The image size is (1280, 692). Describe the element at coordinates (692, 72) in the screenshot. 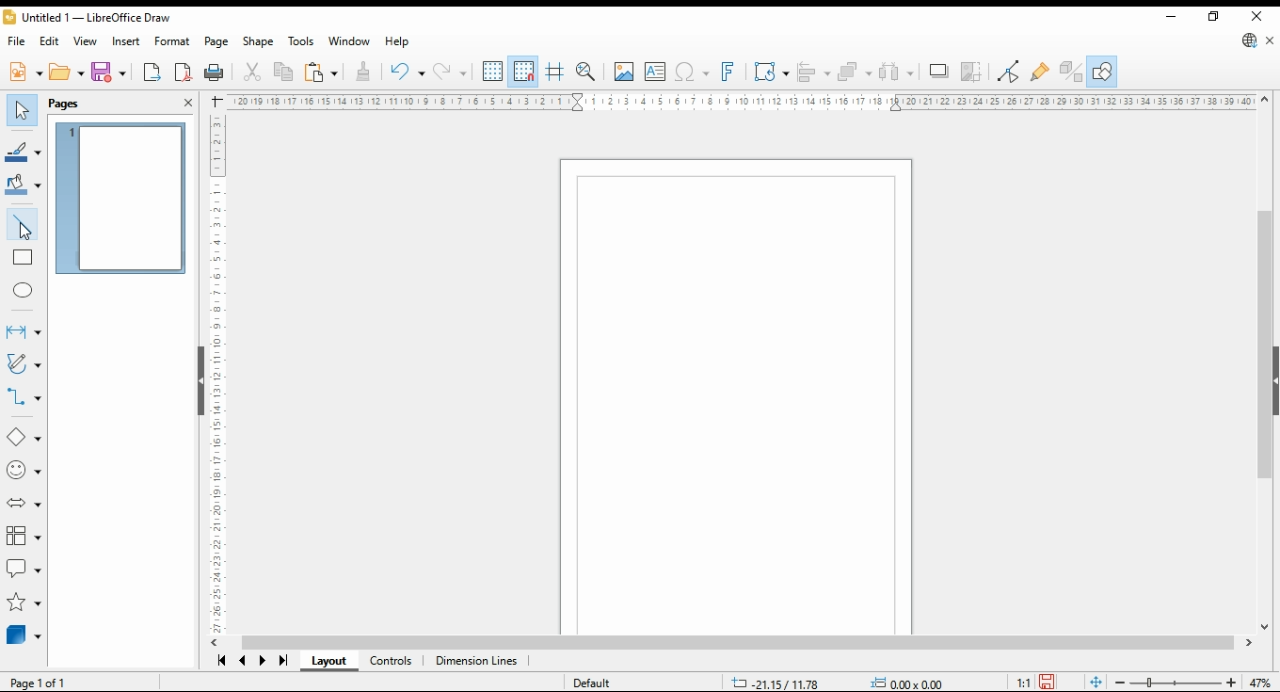

I see `insert special characters` at that location.